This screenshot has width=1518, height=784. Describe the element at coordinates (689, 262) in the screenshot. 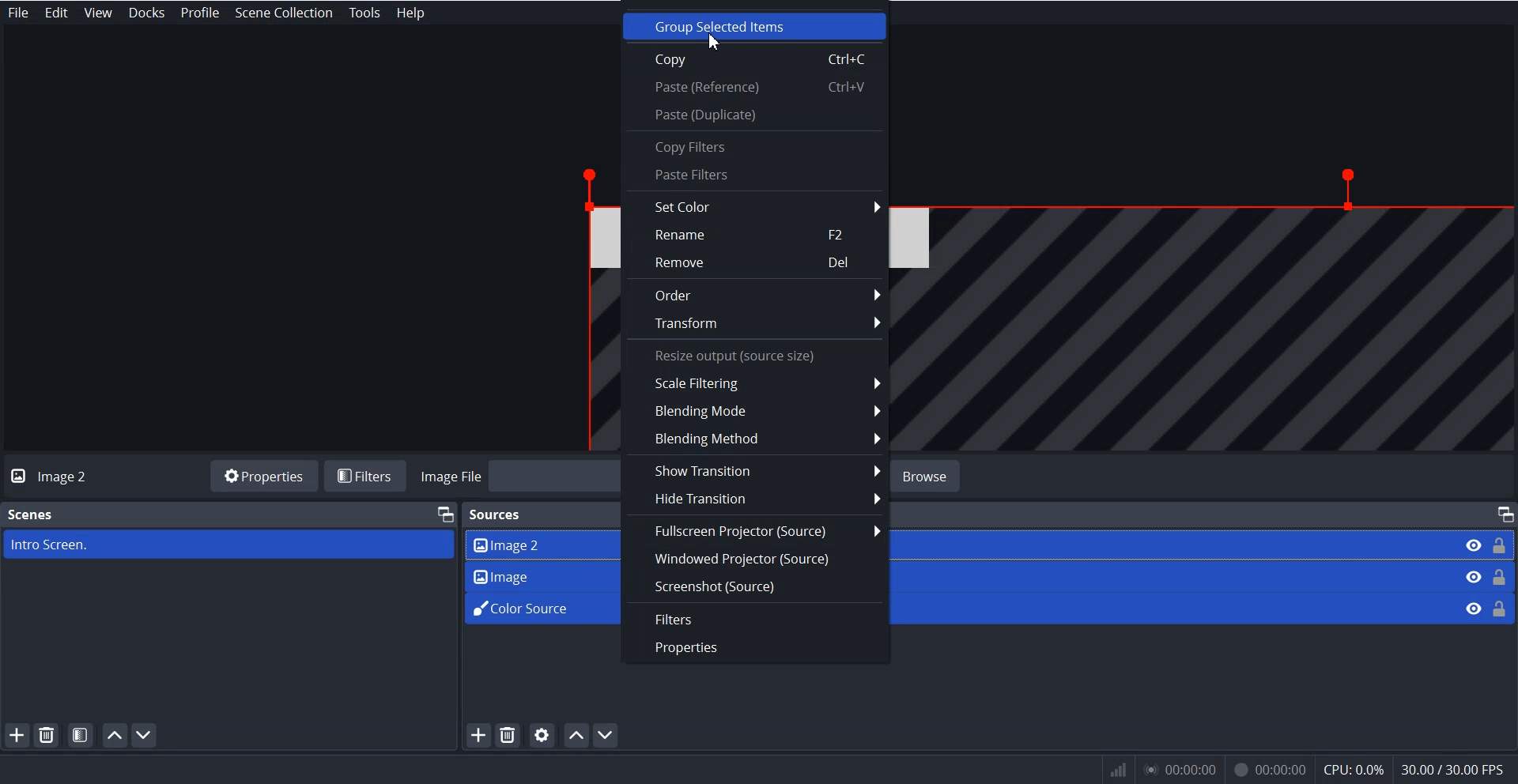

I see `Remove` at that location.